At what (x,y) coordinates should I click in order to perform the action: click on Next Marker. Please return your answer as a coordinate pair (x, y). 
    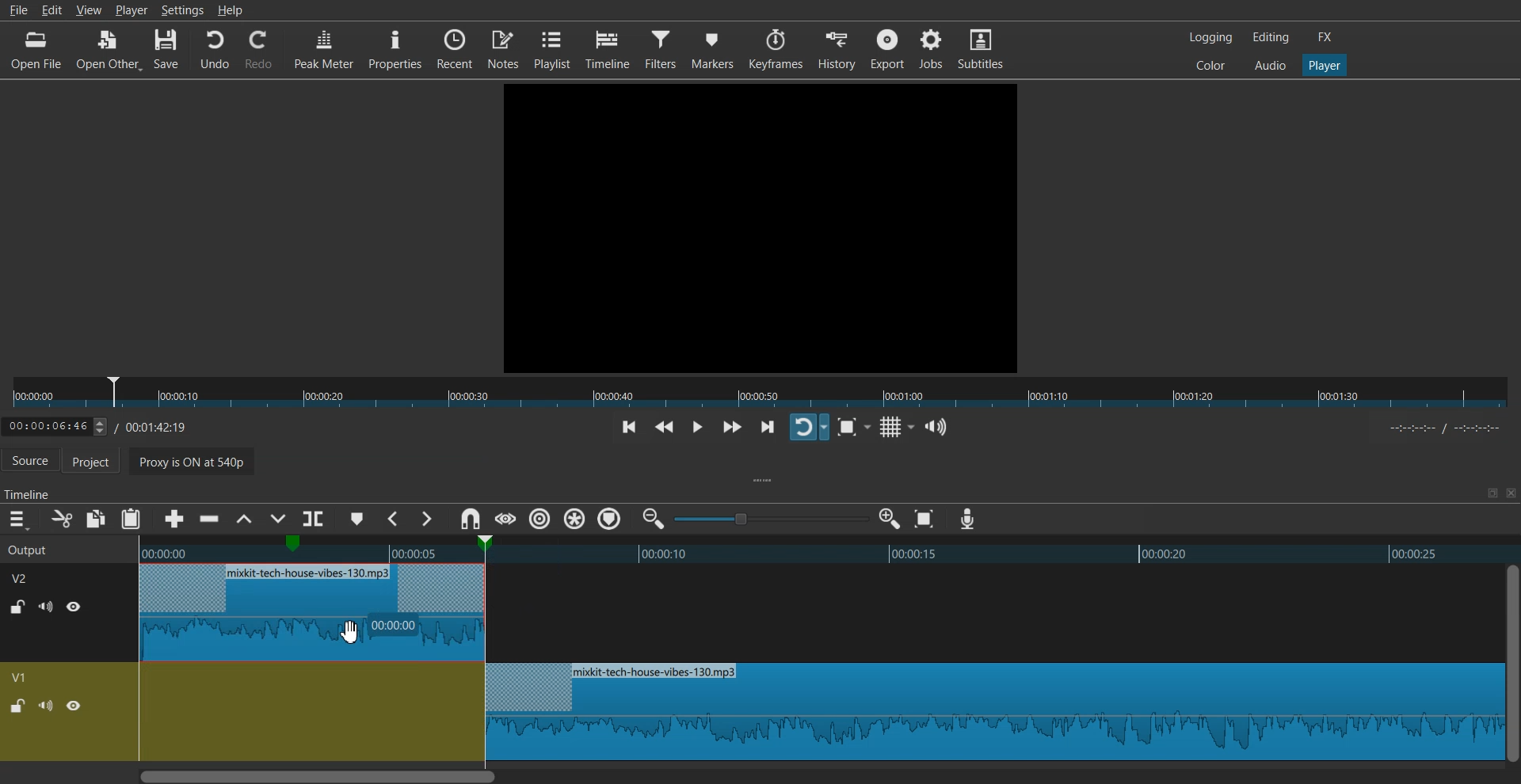
    Looking at the image, I should click on (425, 519).